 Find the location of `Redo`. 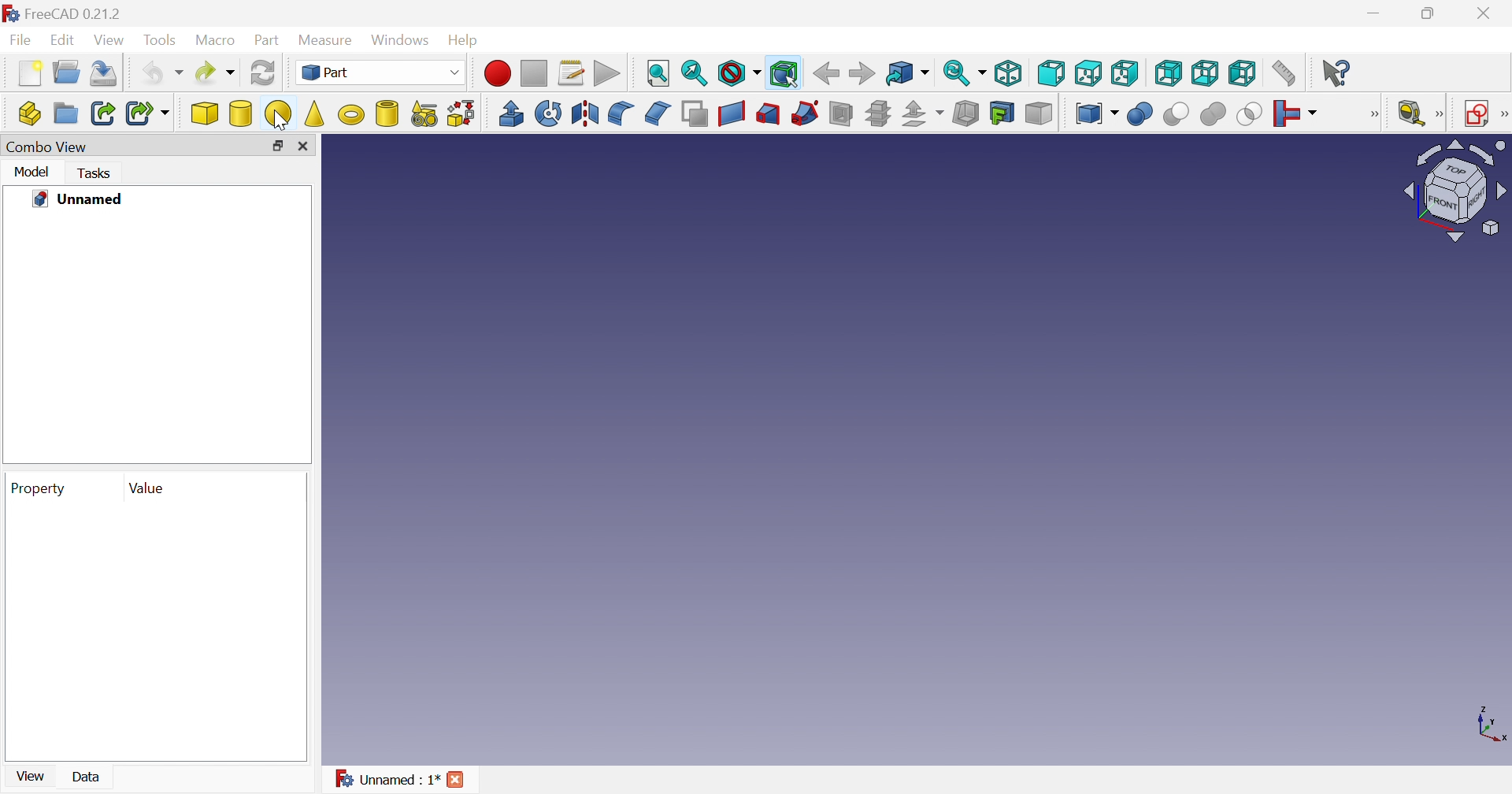

Redo is located at coordinates (215, 72).